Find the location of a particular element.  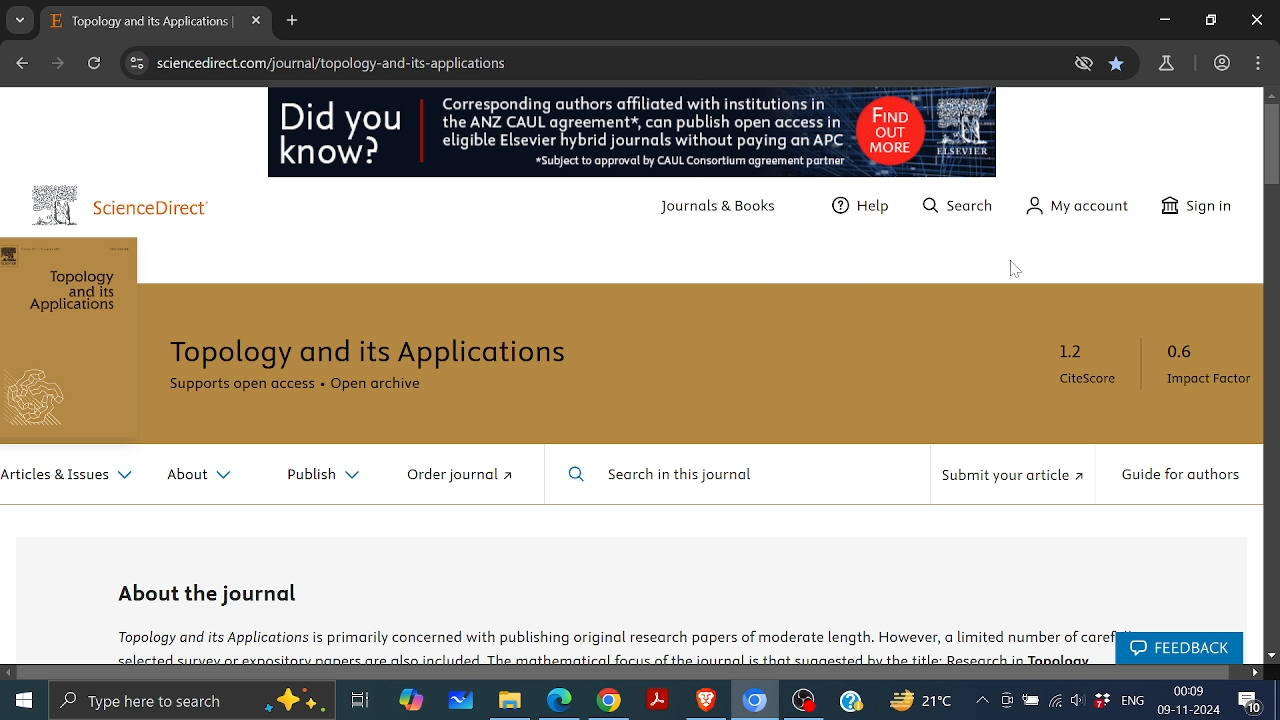

Files is located at coordinates (508, 700).